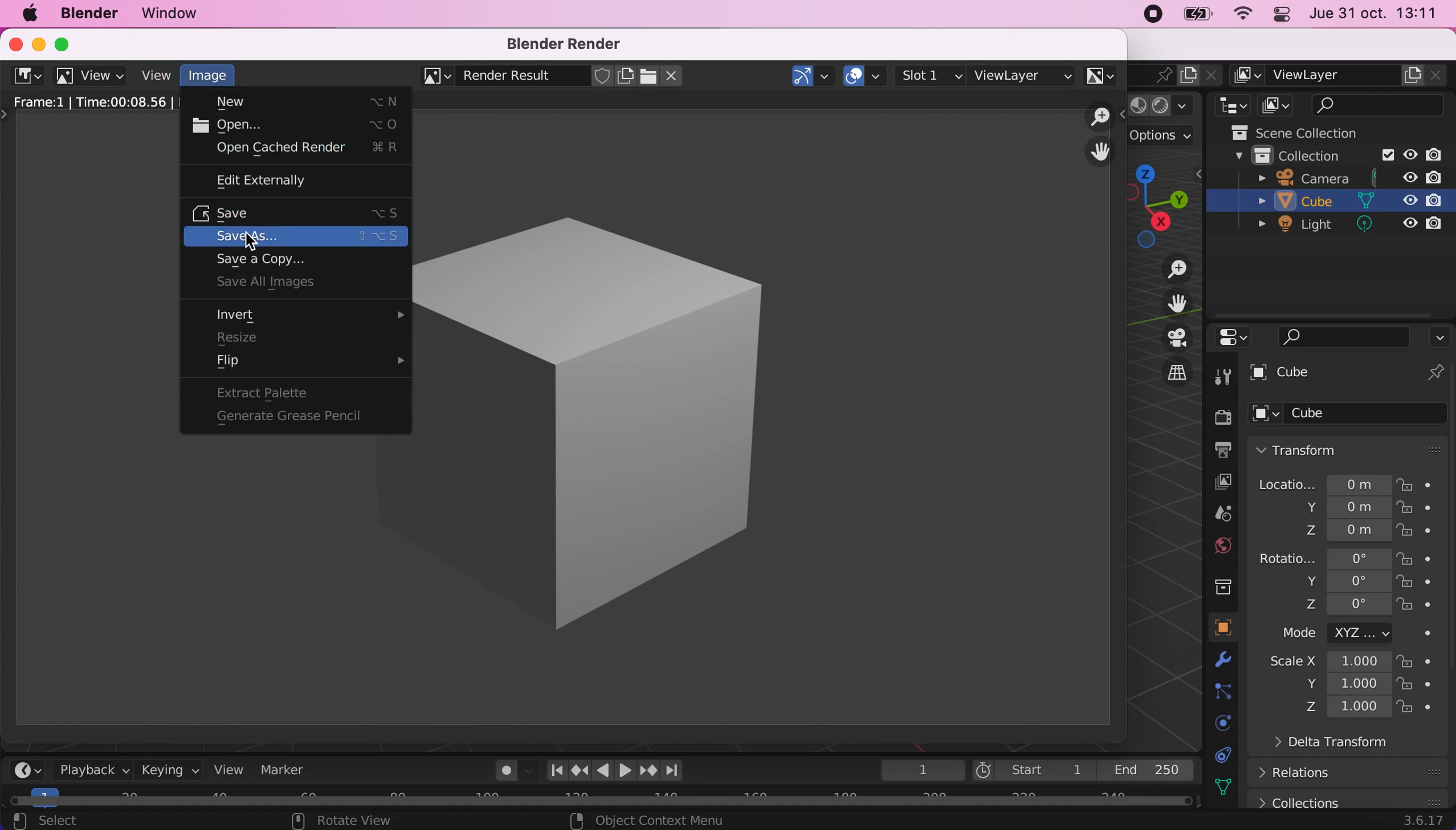 The height and width of the screenshot is (830, 1456). I want to click on playback, so click(91, 771).